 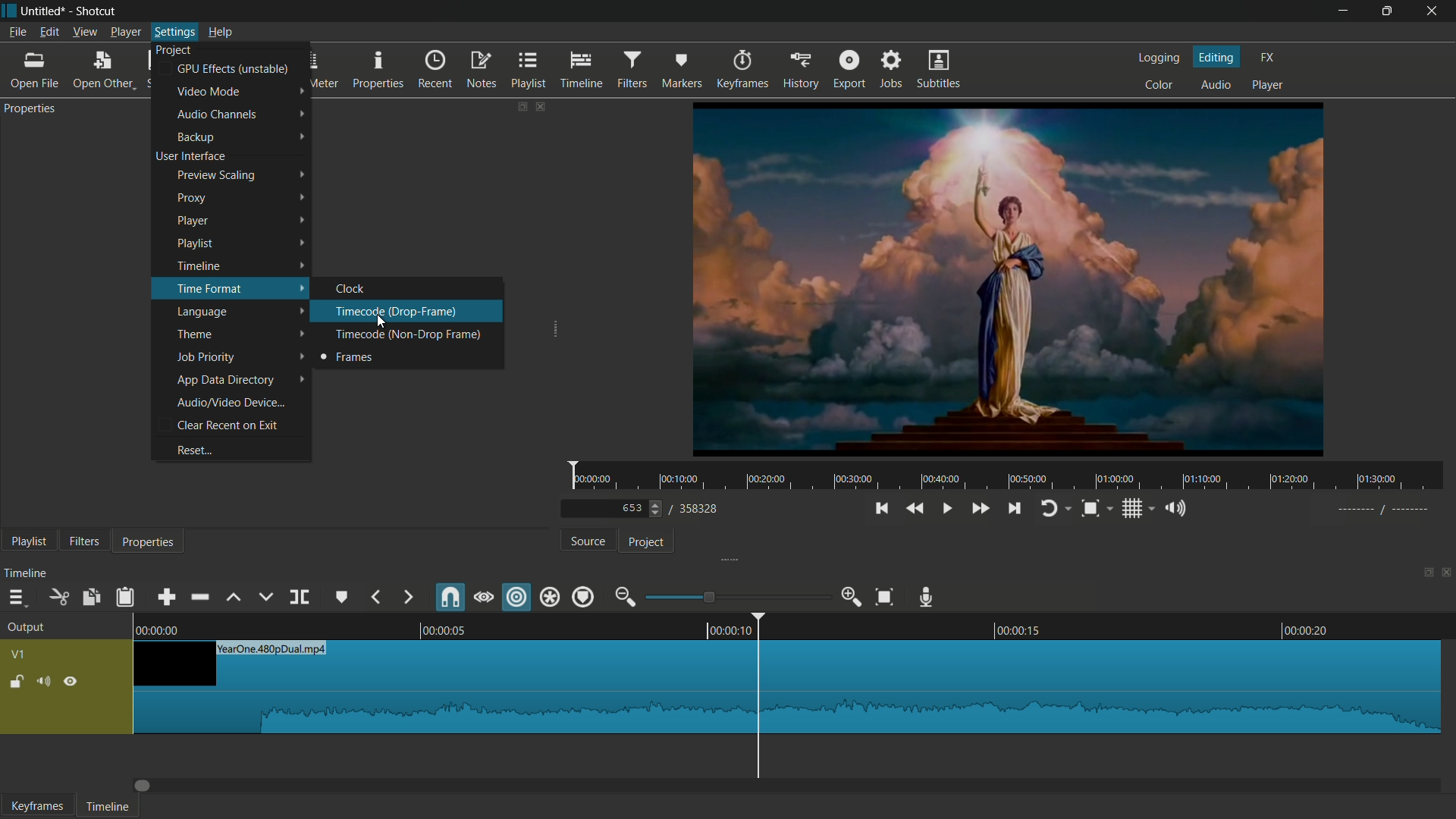 I want to click on lock, so click(x=15, y=682).